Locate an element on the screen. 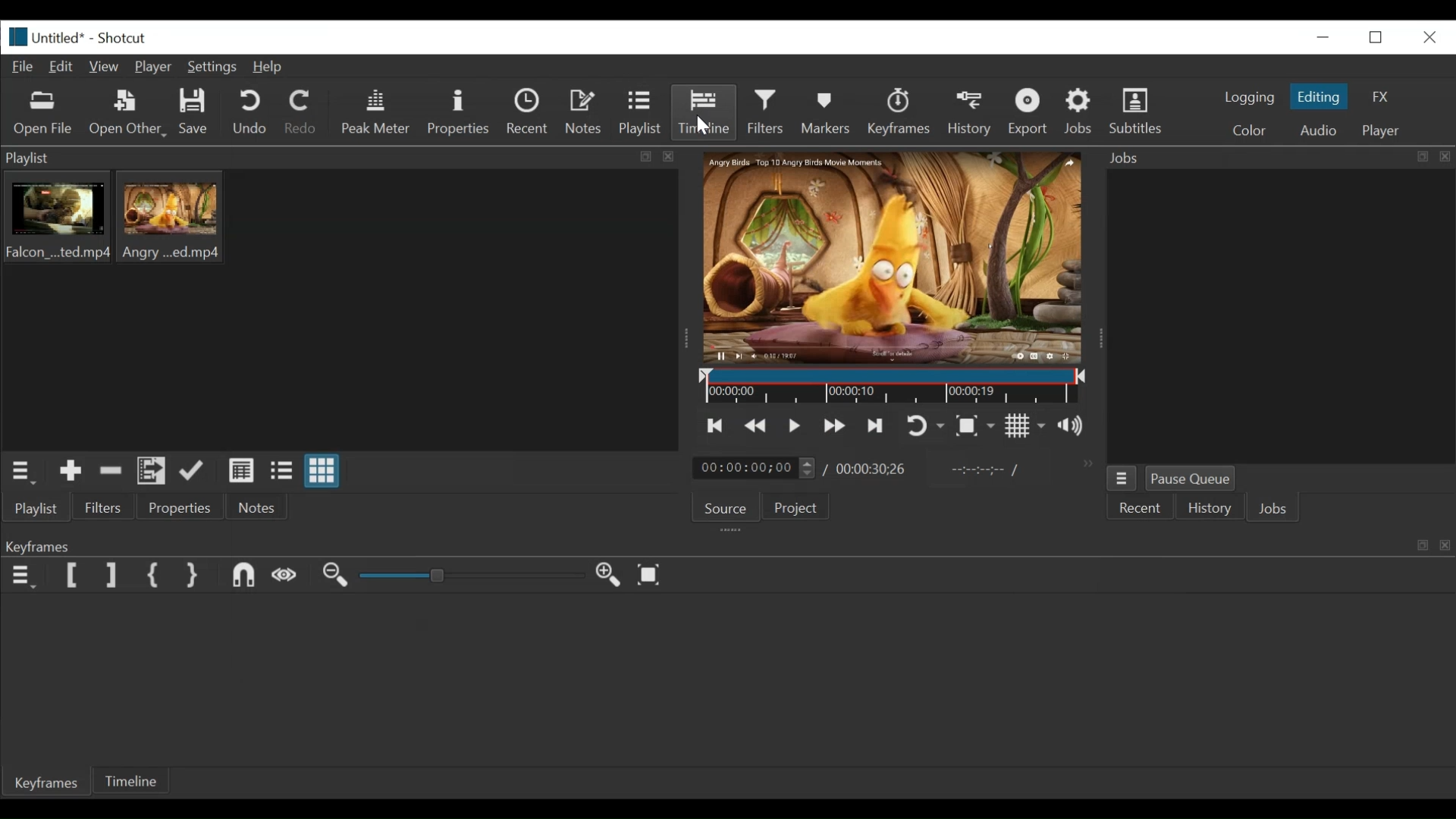 This screenshot has width=1456, height=819. in point is located at coordinates (981, 472).